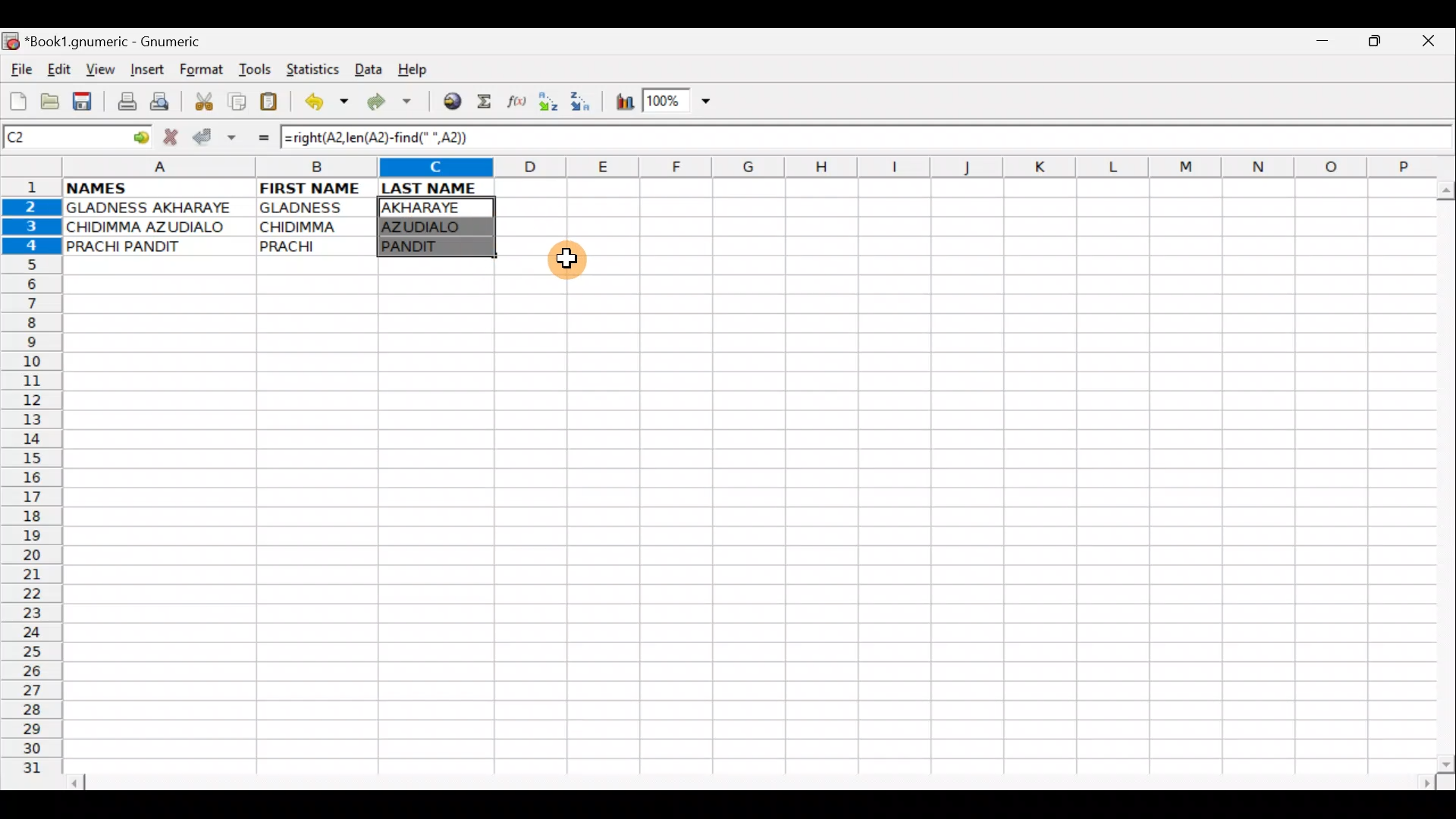 This screenshot has height=819, width=1456. Describe the element at coordinates (489, 102) in the screenshot. I see `Sum in the current cell` at that location.